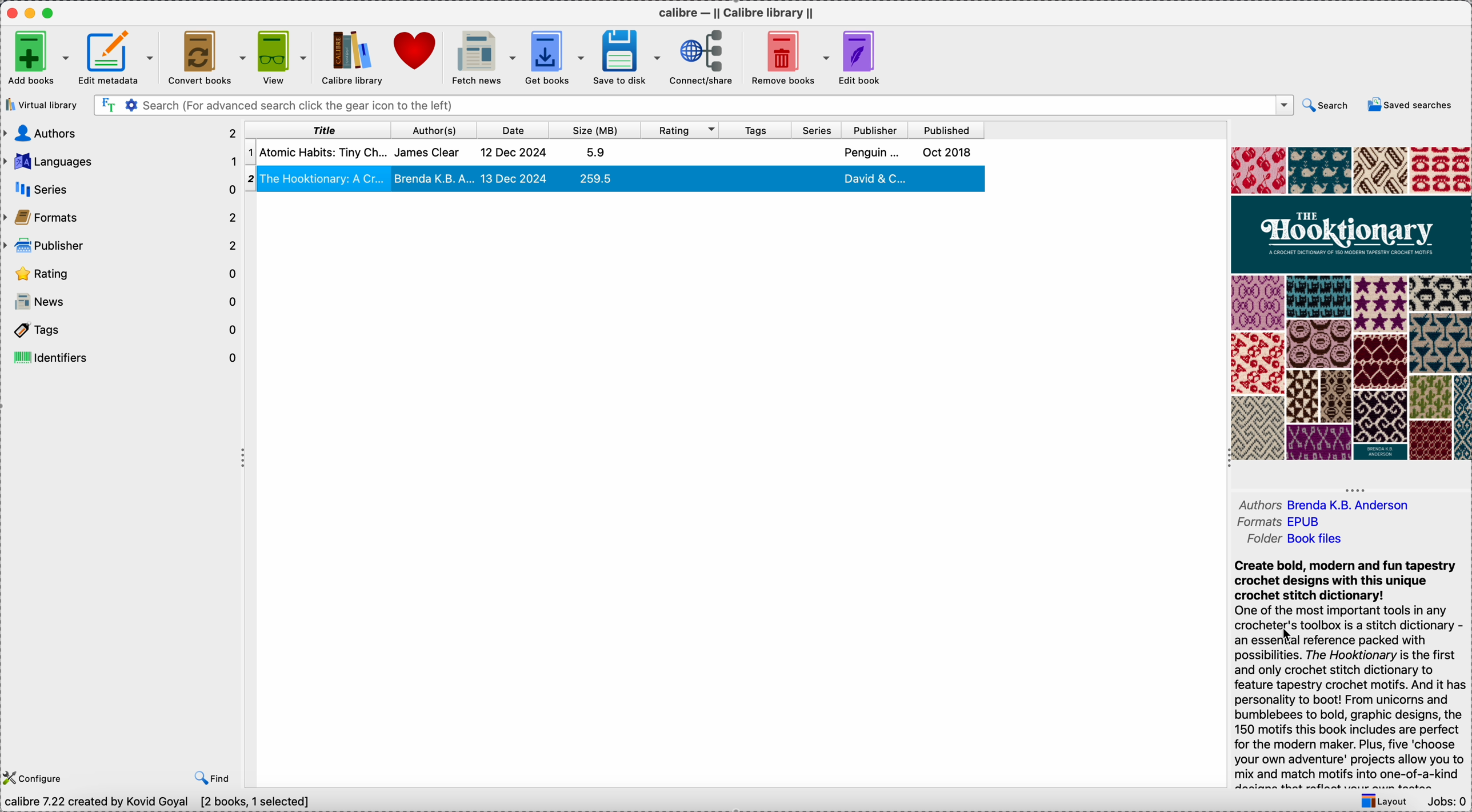 This screenshot has width=1472, height=812. Describe the element at coordinates (213, 776) in the screenshot. I see `find` at that location.